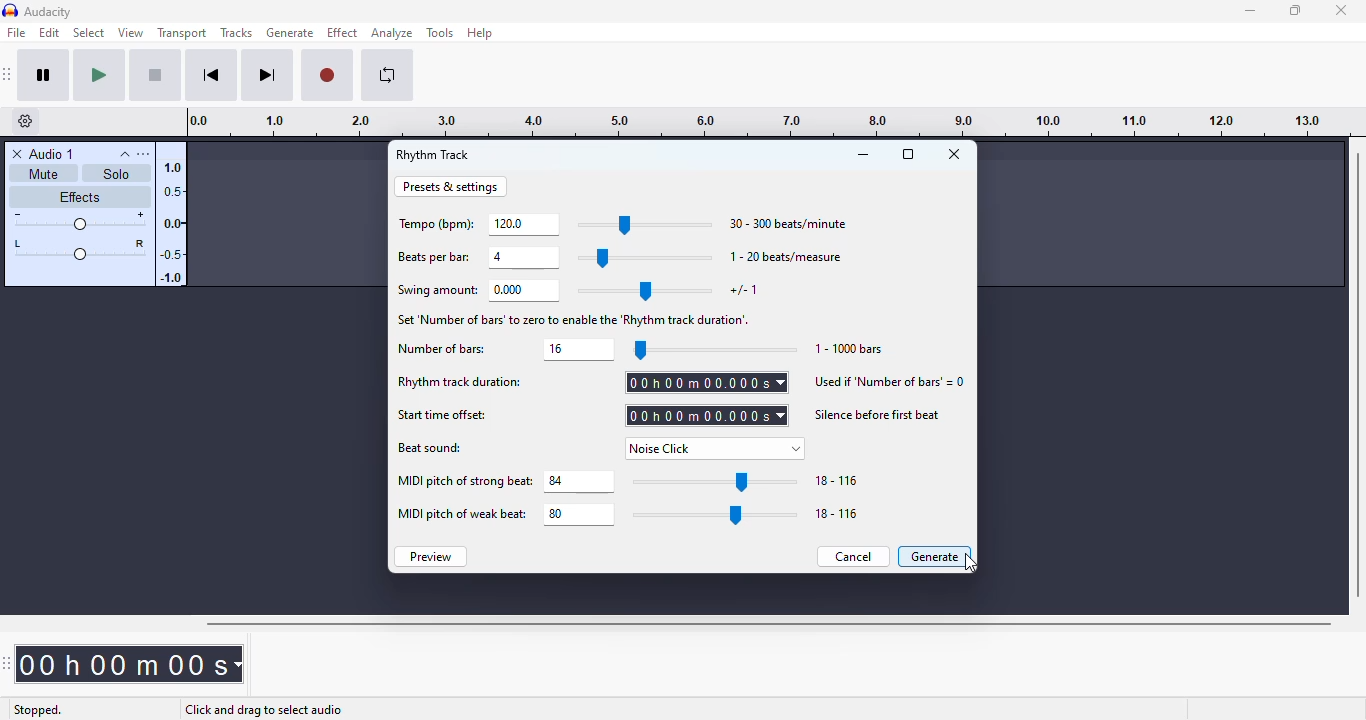 This screenshot has height=720, width=1366. I want to click on set beats per bar, so click(523, 258).